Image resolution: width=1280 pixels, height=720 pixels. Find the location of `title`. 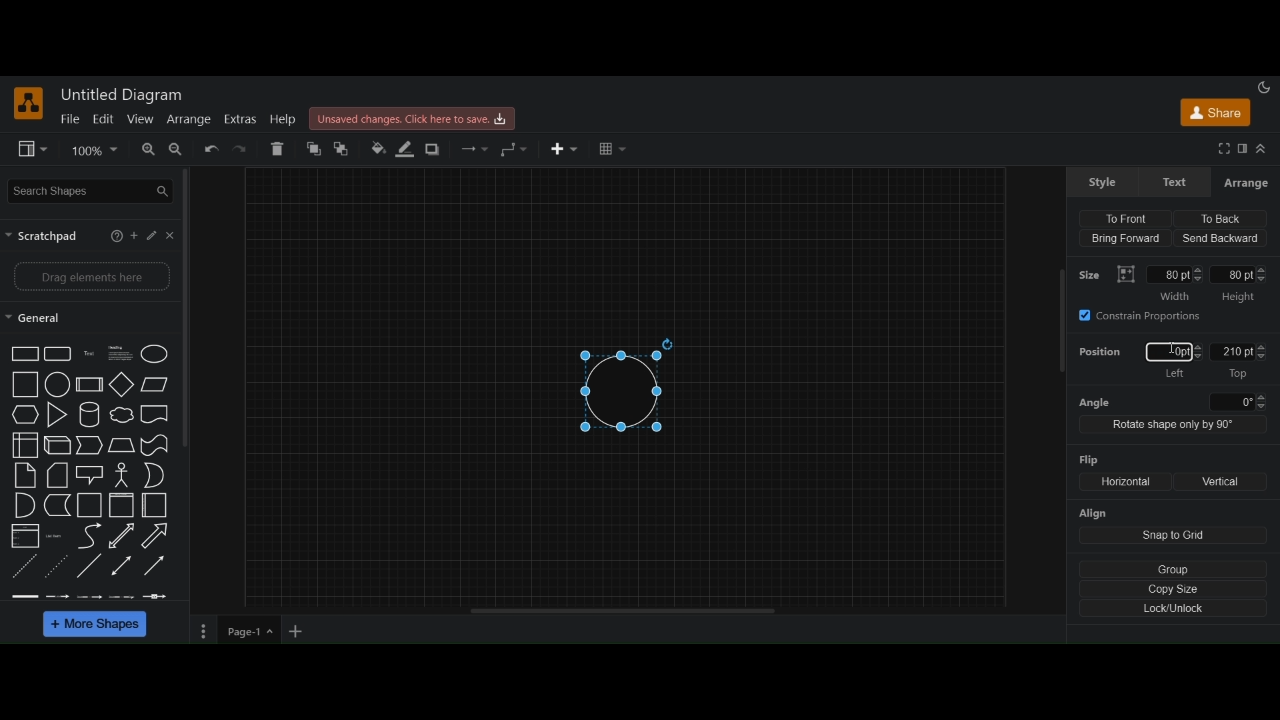

title is located at coordinates (125, 95).